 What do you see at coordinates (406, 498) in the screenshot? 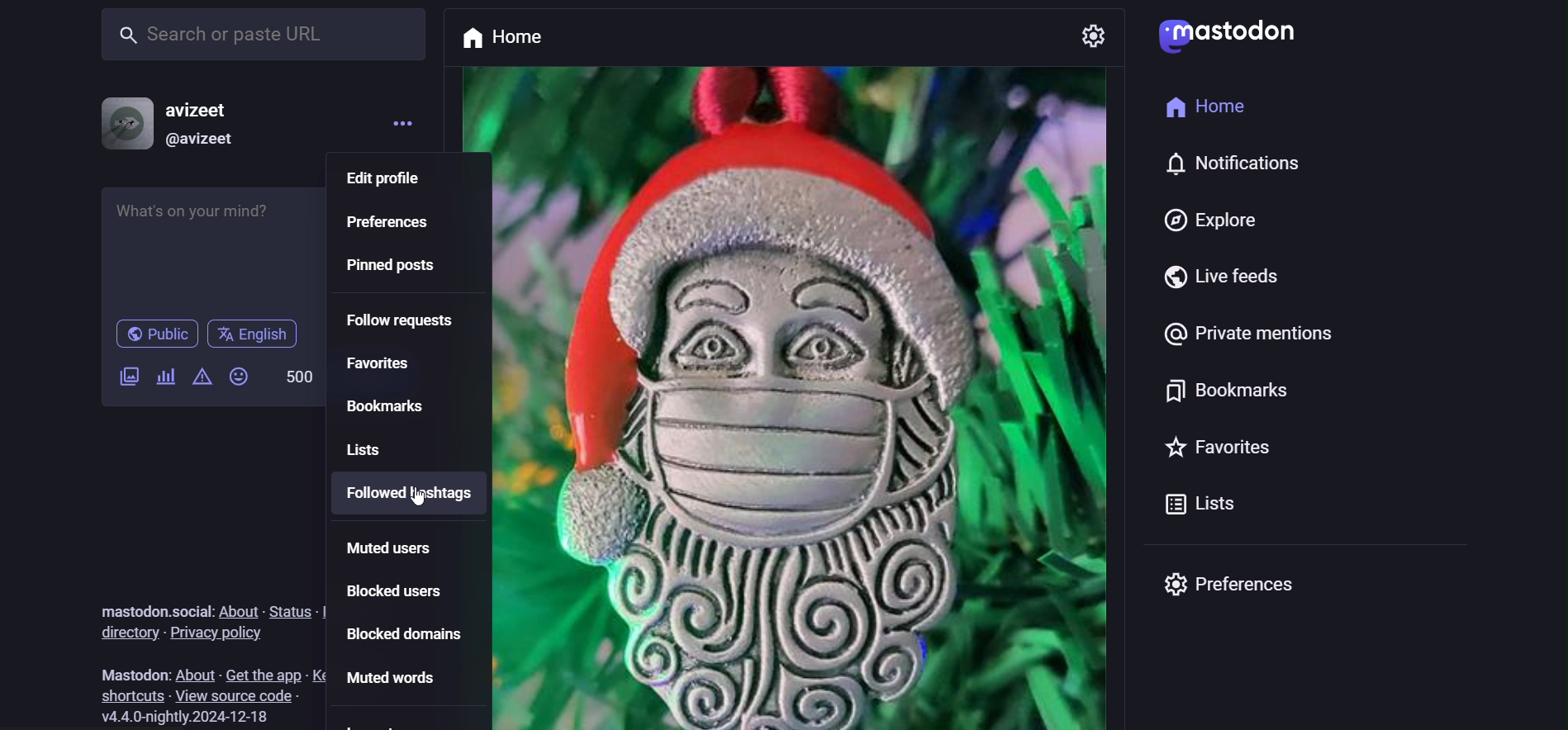
I see `followed hashtags` at bounding box center [406, 498].